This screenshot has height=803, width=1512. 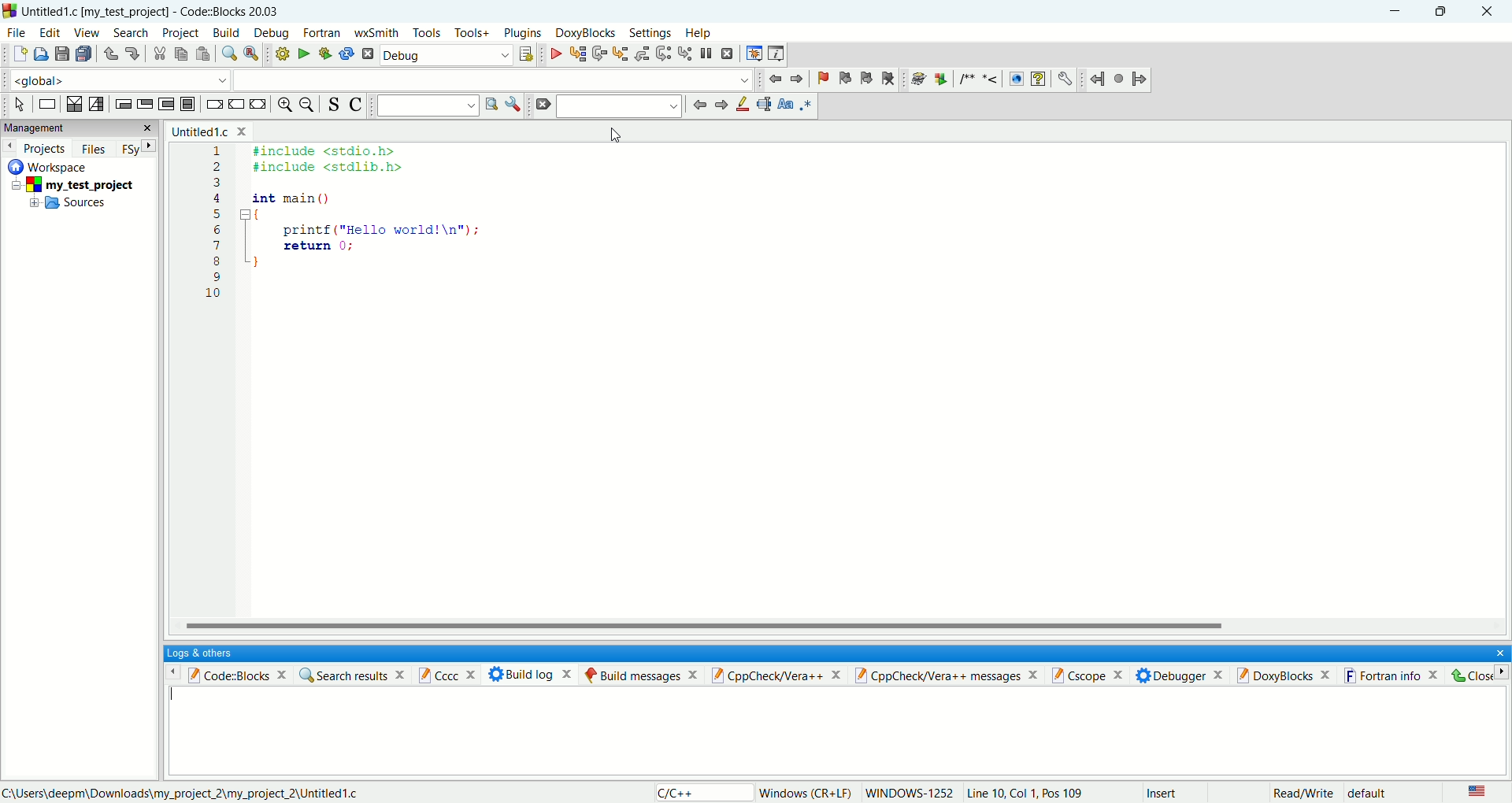 I want to click on jump forward, so click(x=798, y=78).